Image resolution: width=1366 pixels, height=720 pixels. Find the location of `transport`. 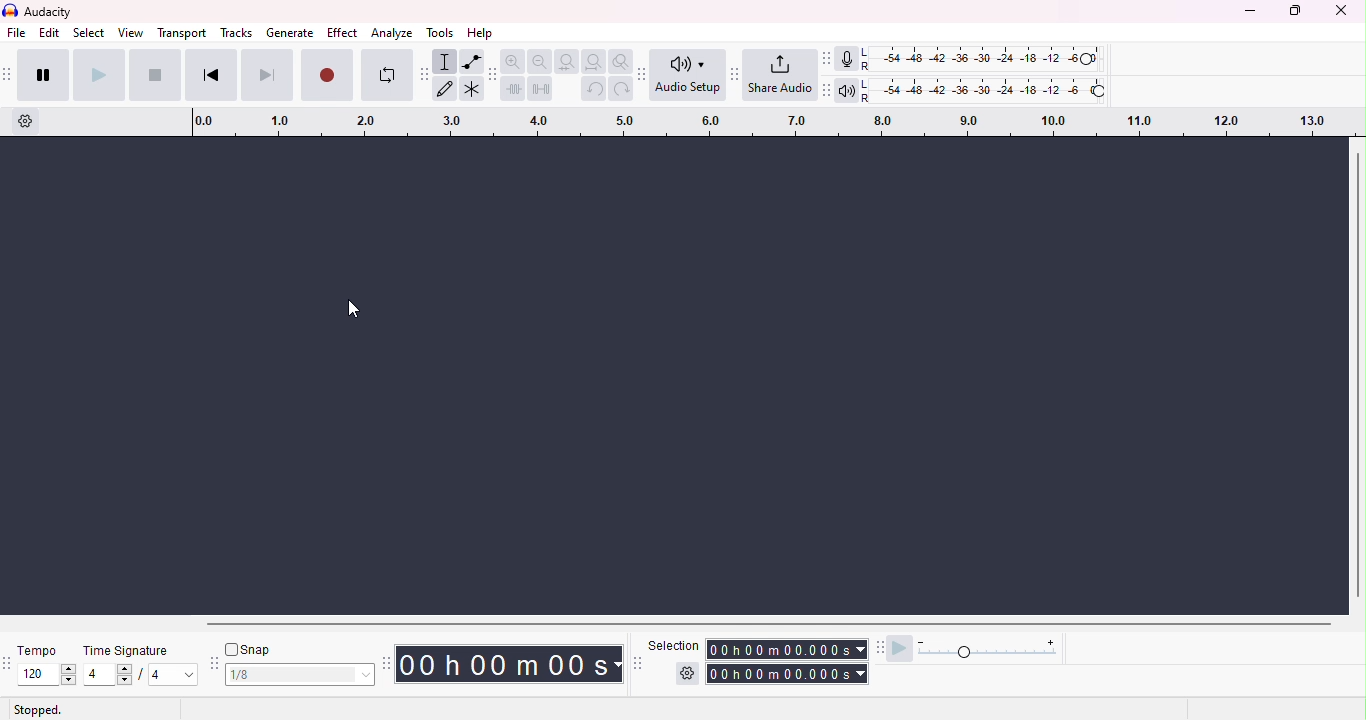

transport is located at coordinates (182, 33).